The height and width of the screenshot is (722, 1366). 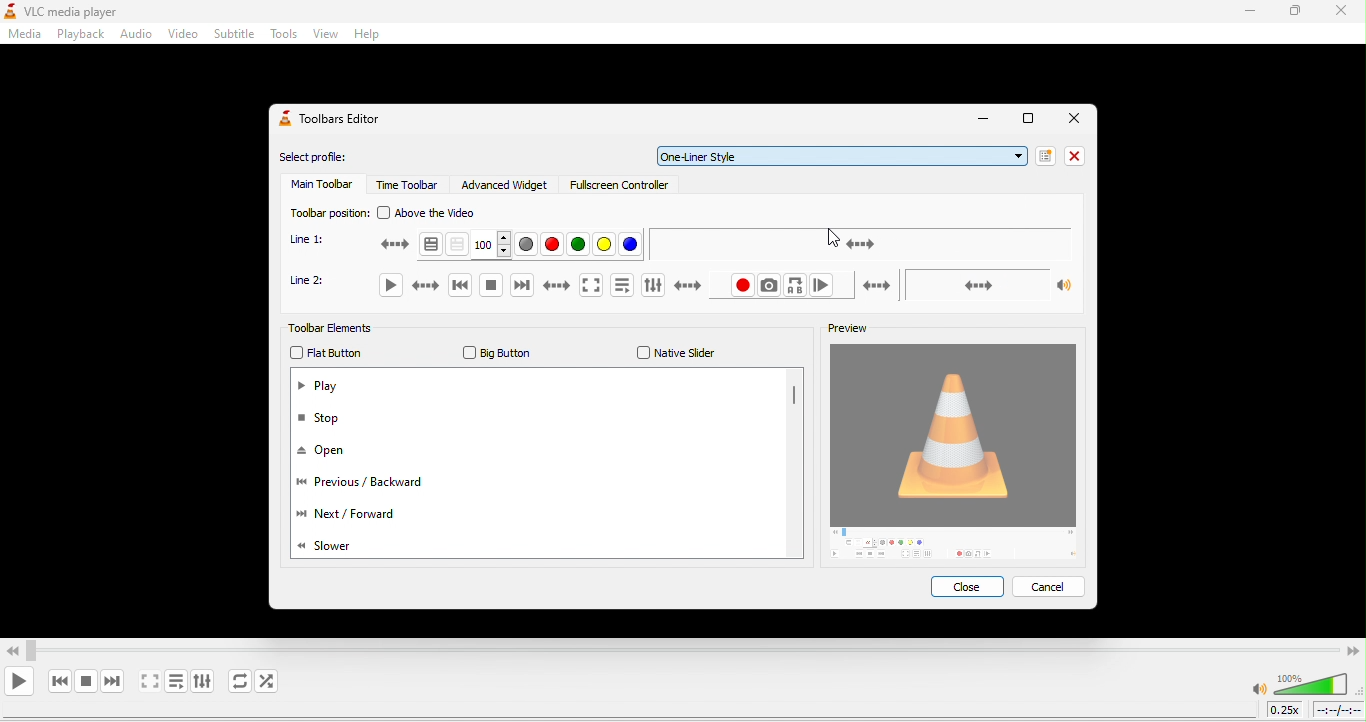 What do you see at coordinates (376, 513) in the screenshot?
I see `next/forward` at bounding box center [376, 513].